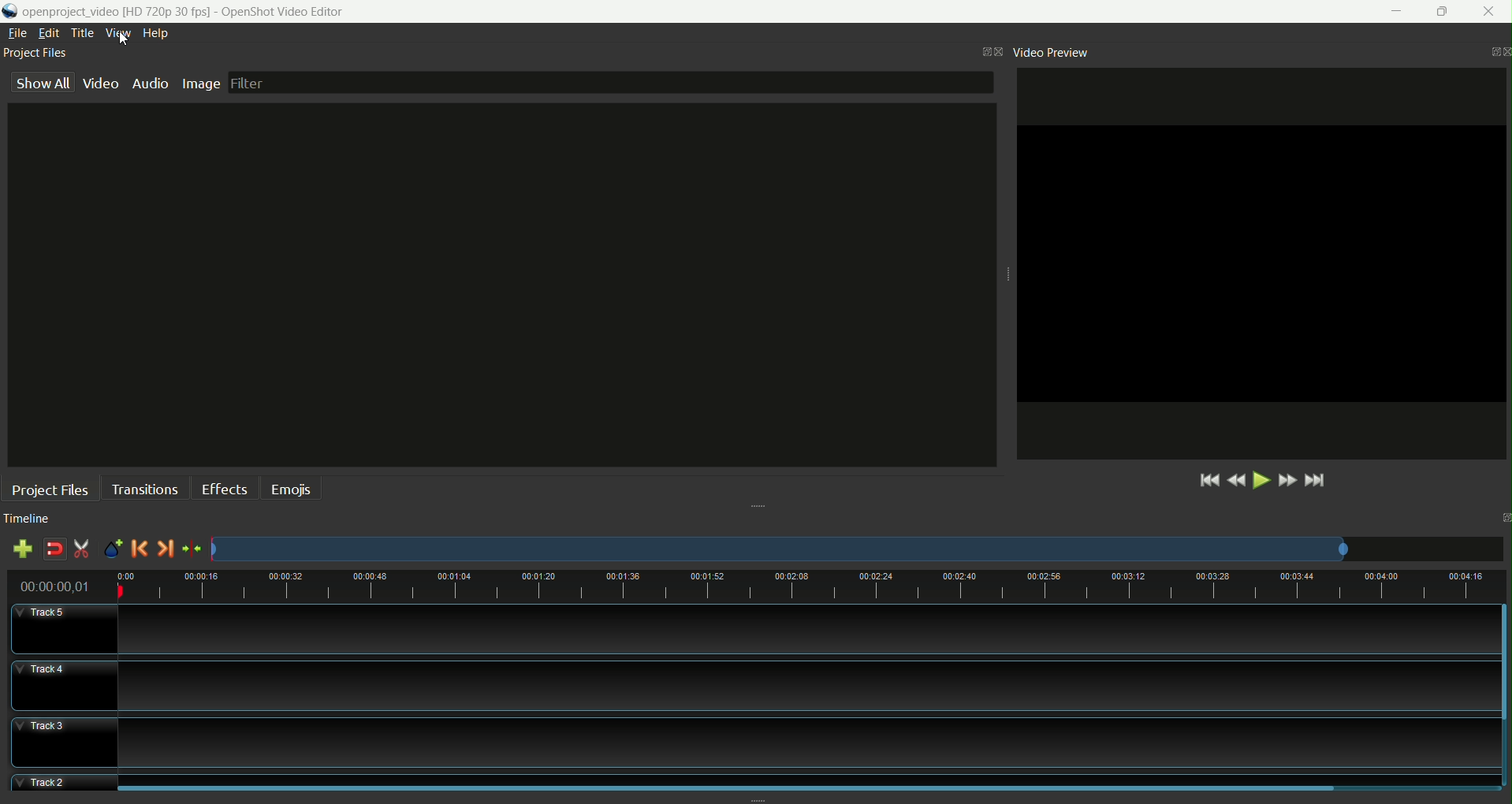  Describe the element at coordinates (1289, 478) in the screenshot. I see `fast forward` at that location.